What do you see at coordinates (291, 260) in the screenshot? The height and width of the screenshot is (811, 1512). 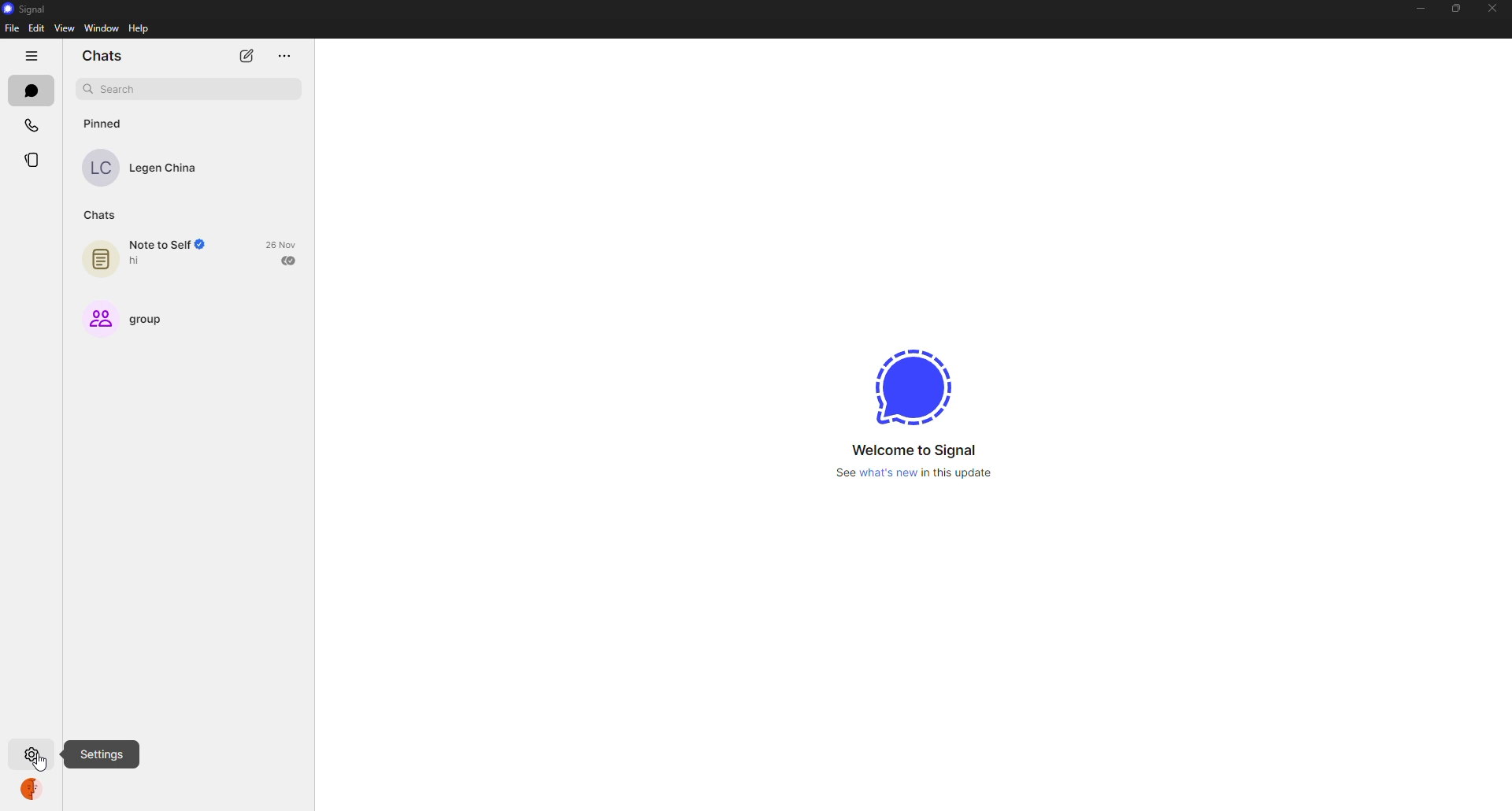 I see `sent` at bounding box center [291, 260].